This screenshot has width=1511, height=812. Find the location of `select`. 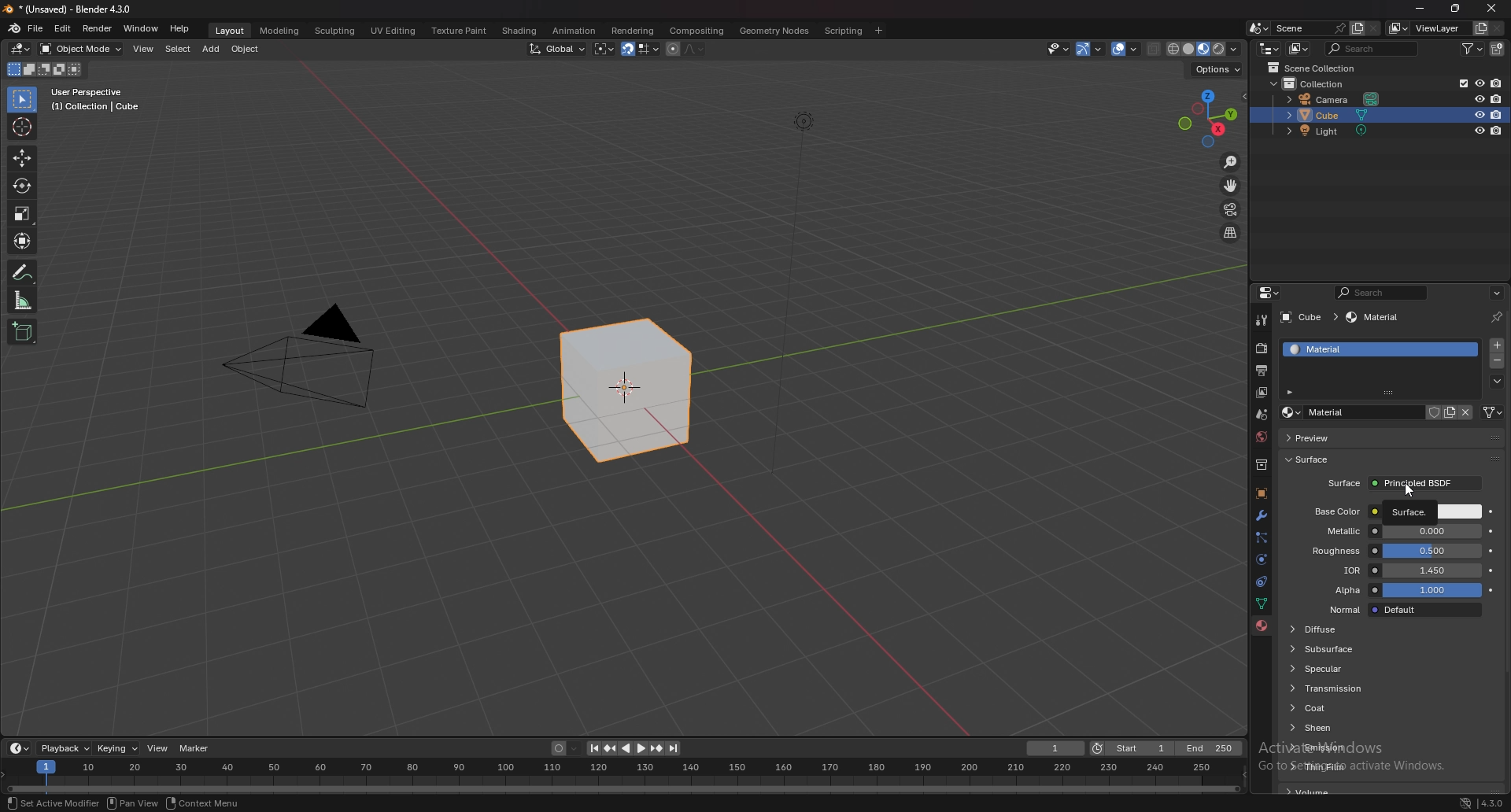

select is located at coordinates (27, 803).